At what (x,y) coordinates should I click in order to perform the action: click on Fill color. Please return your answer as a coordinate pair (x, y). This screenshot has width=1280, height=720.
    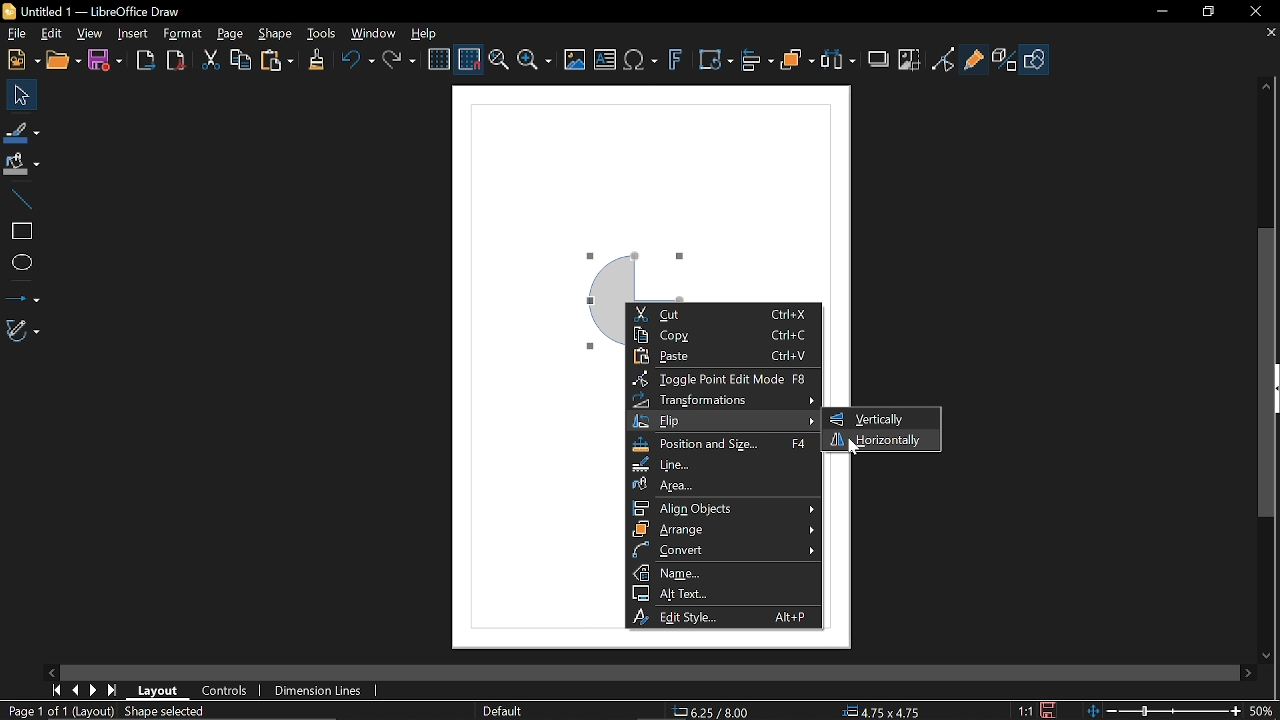
    Looking at the image, I should click on (22, 166).